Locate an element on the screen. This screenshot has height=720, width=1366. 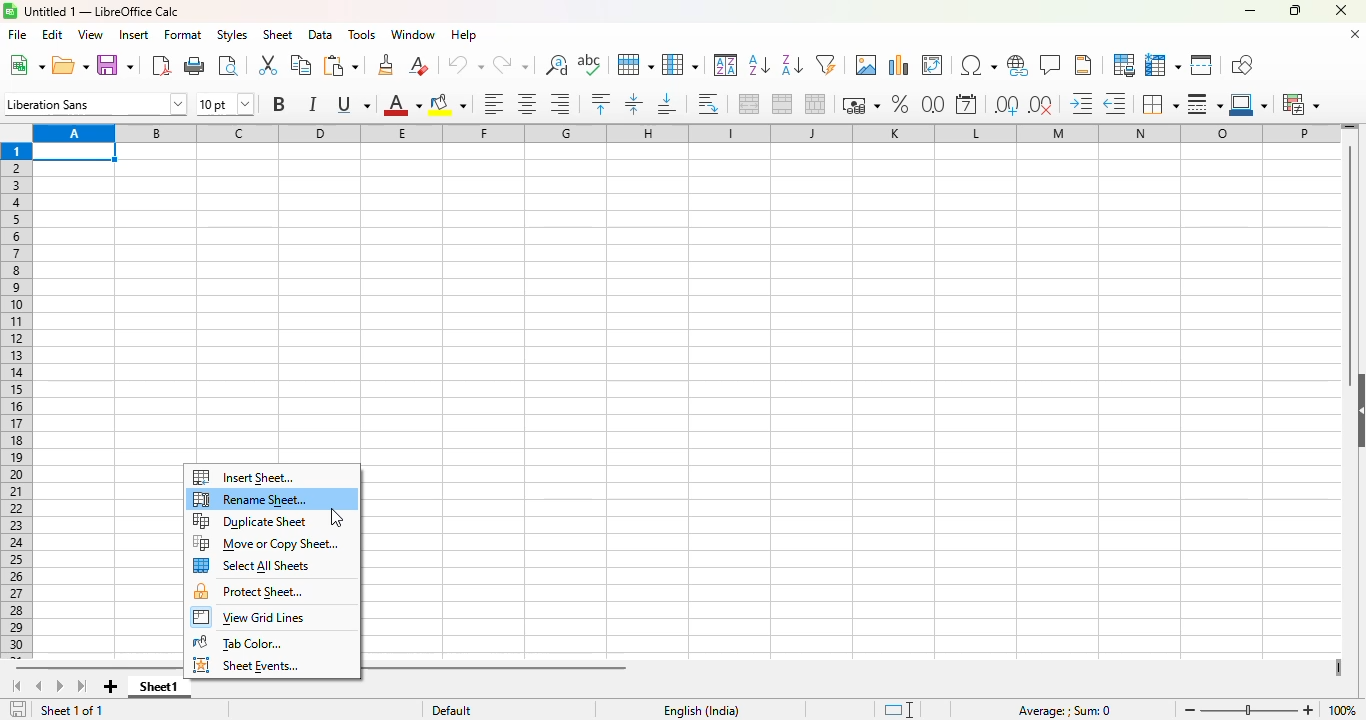
sort ascending is located at coordinates (759, 64).